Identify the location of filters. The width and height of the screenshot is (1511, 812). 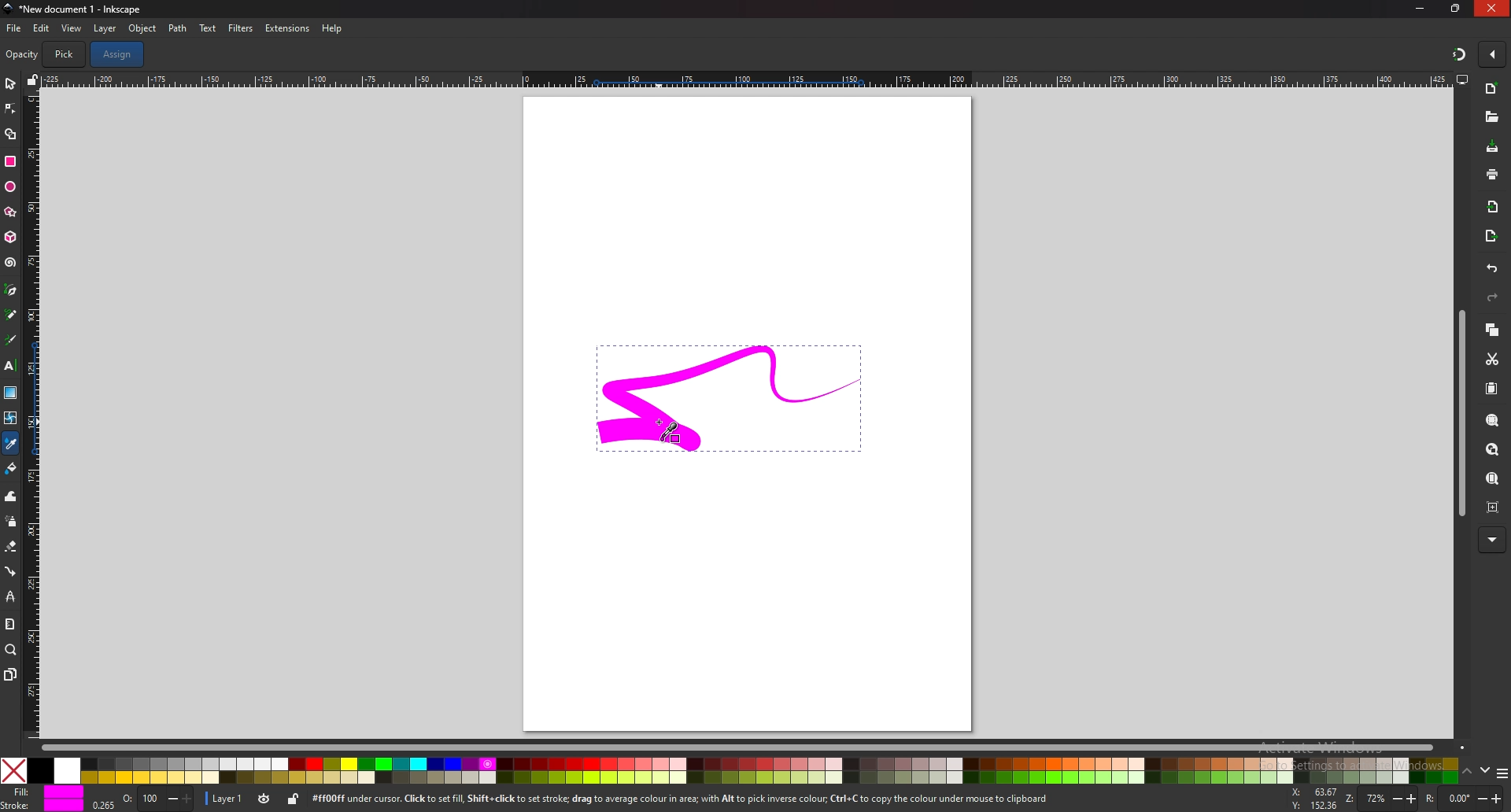
(240, 28).